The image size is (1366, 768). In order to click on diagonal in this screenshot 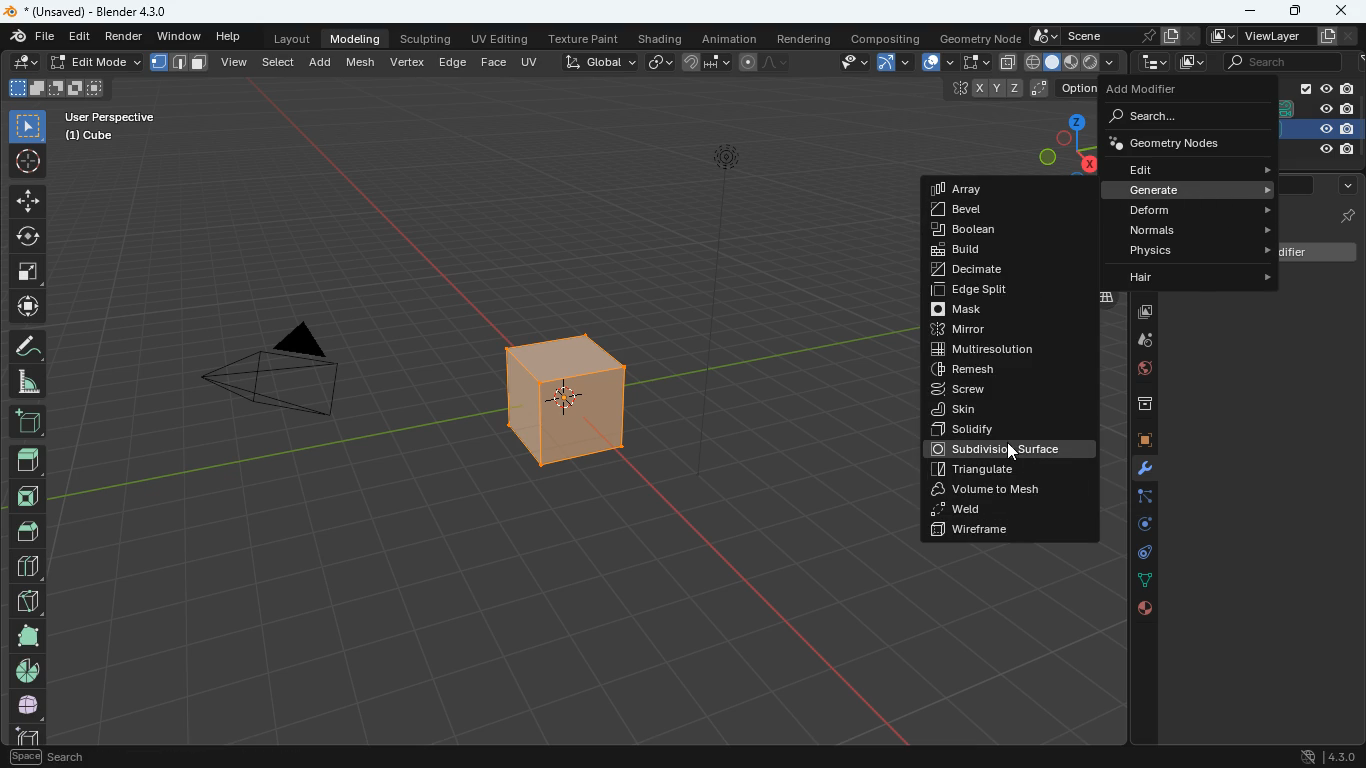, I will do `click(26, 602)`.